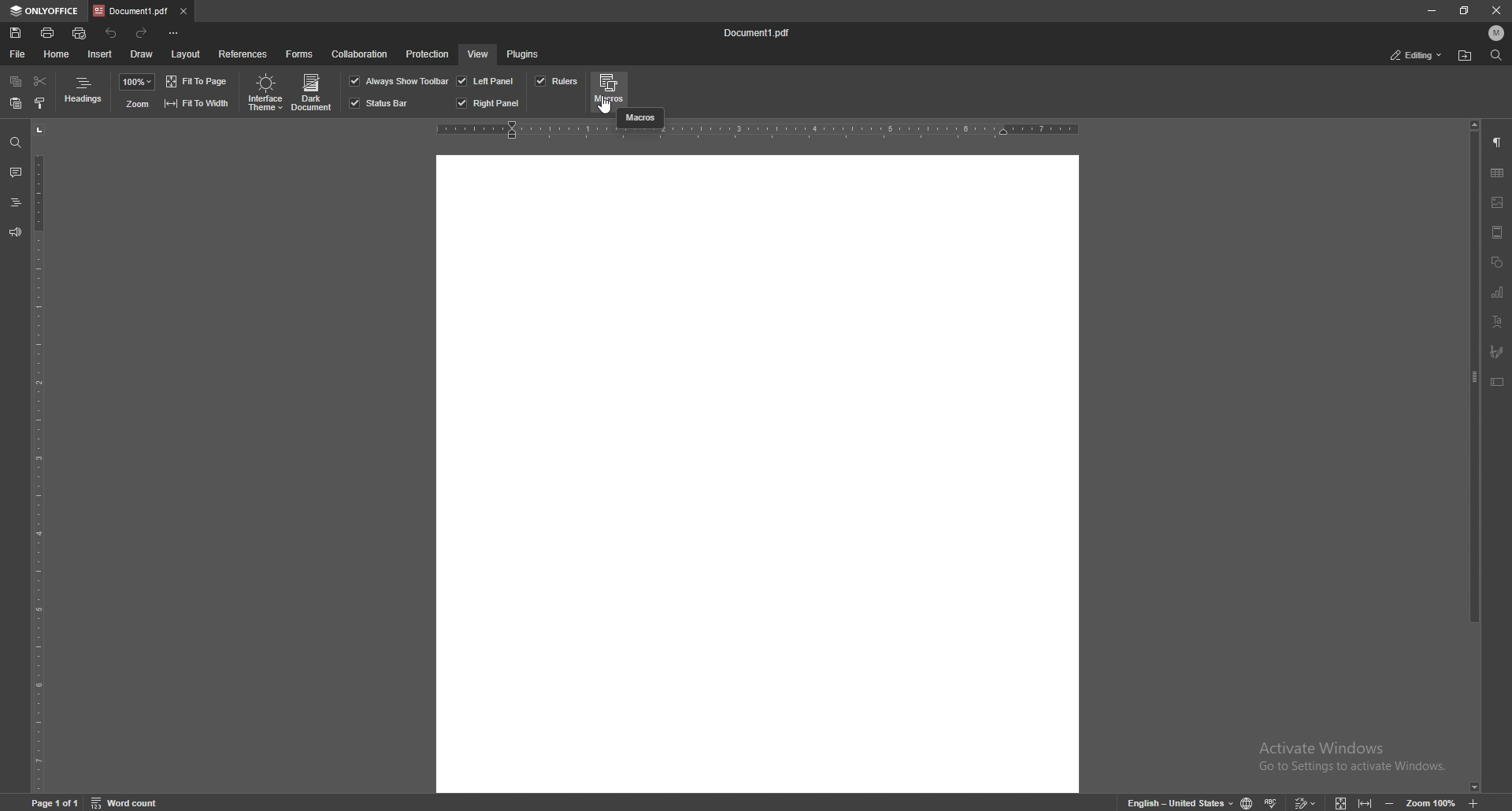 Image resolution: width=1512 pixels, height=811 pixels. What do you see at coordinates (1475, 804) in the screenshot?
I see `zoom in` at bounding box center [1475, 804].